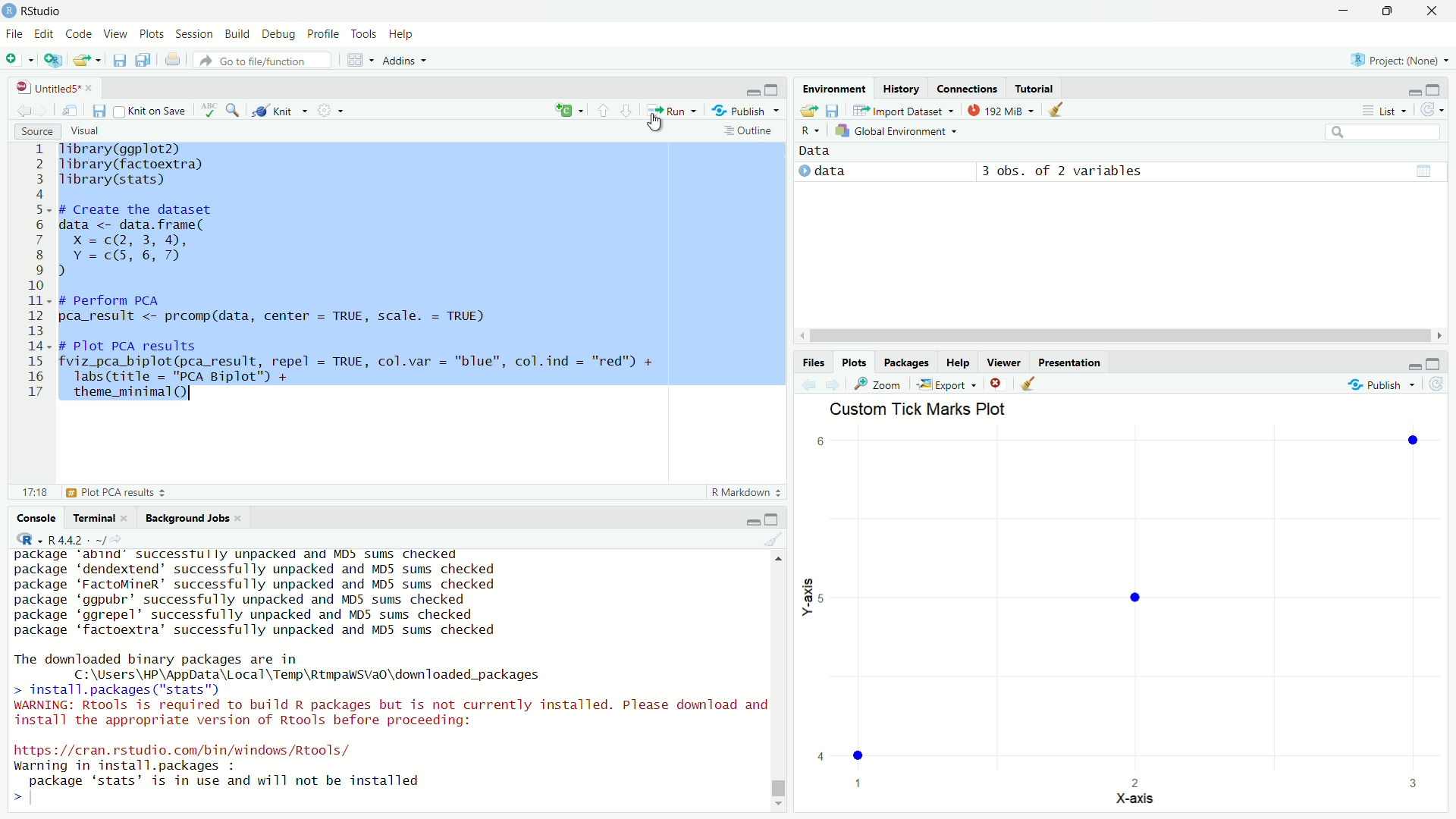 The height and width of the screenshot is (819, 1456). I want to click on Presentation, so click(1070, 362).